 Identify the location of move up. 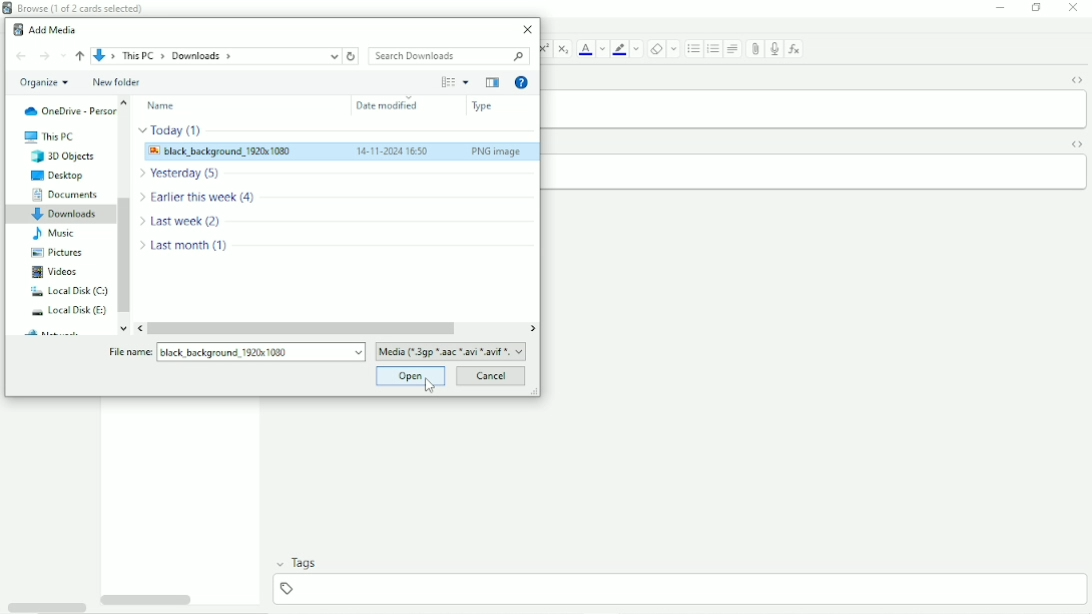
(125, 102).